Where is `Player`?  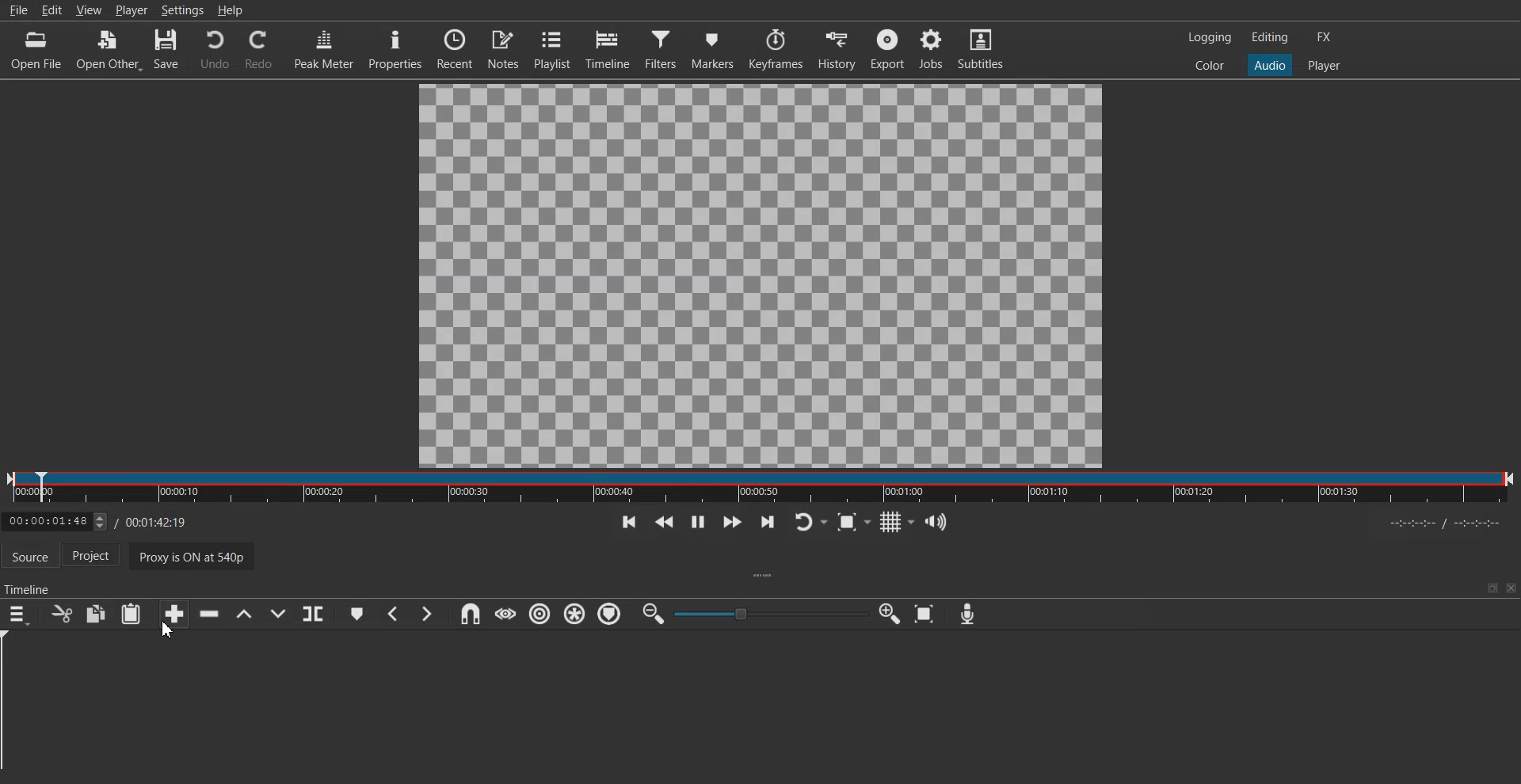
Player is located at coordinates (131, 10).